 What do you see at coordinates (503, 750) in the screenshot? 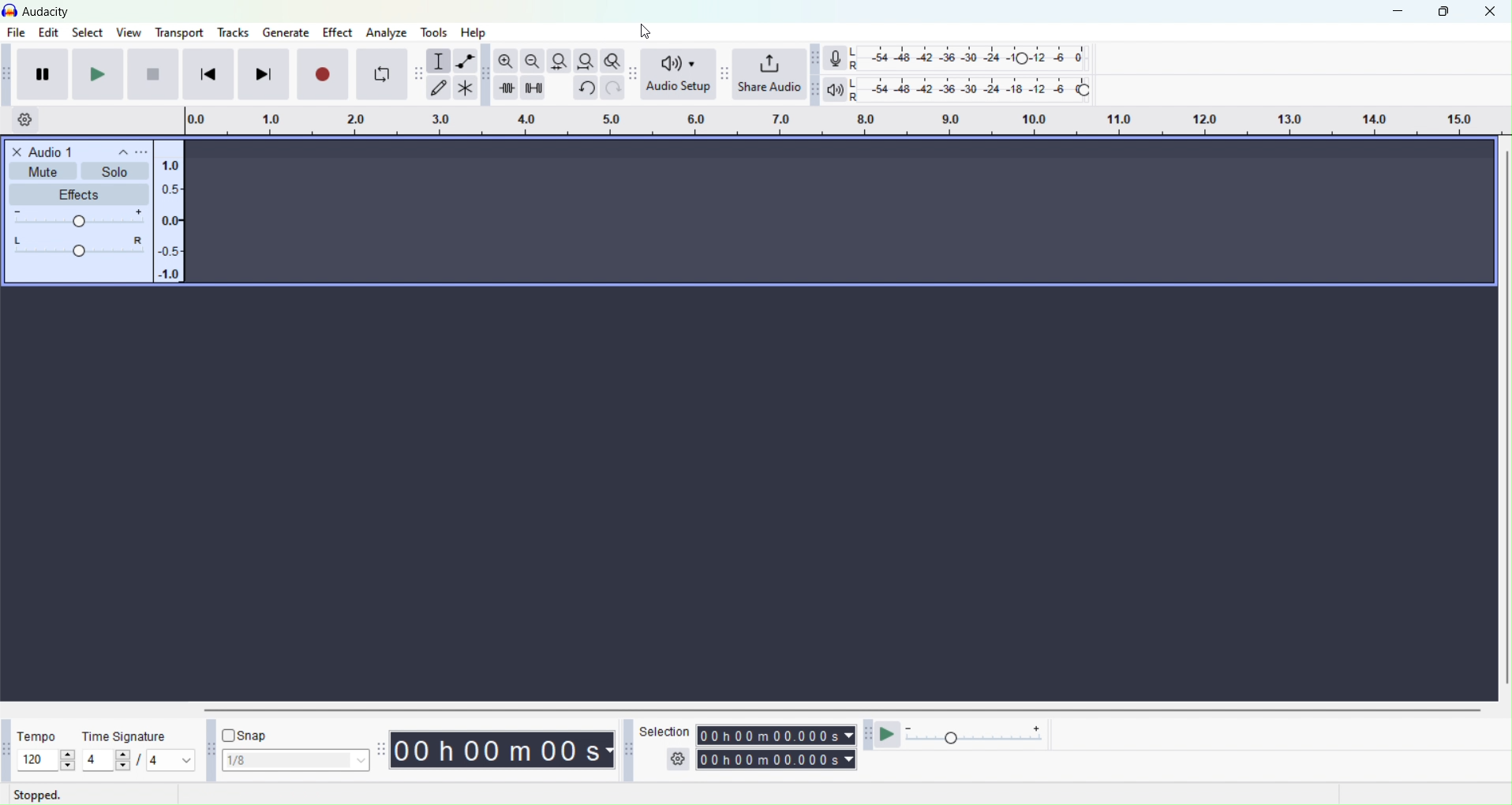
I see `Timing of track` at bounding box center [503, 750].